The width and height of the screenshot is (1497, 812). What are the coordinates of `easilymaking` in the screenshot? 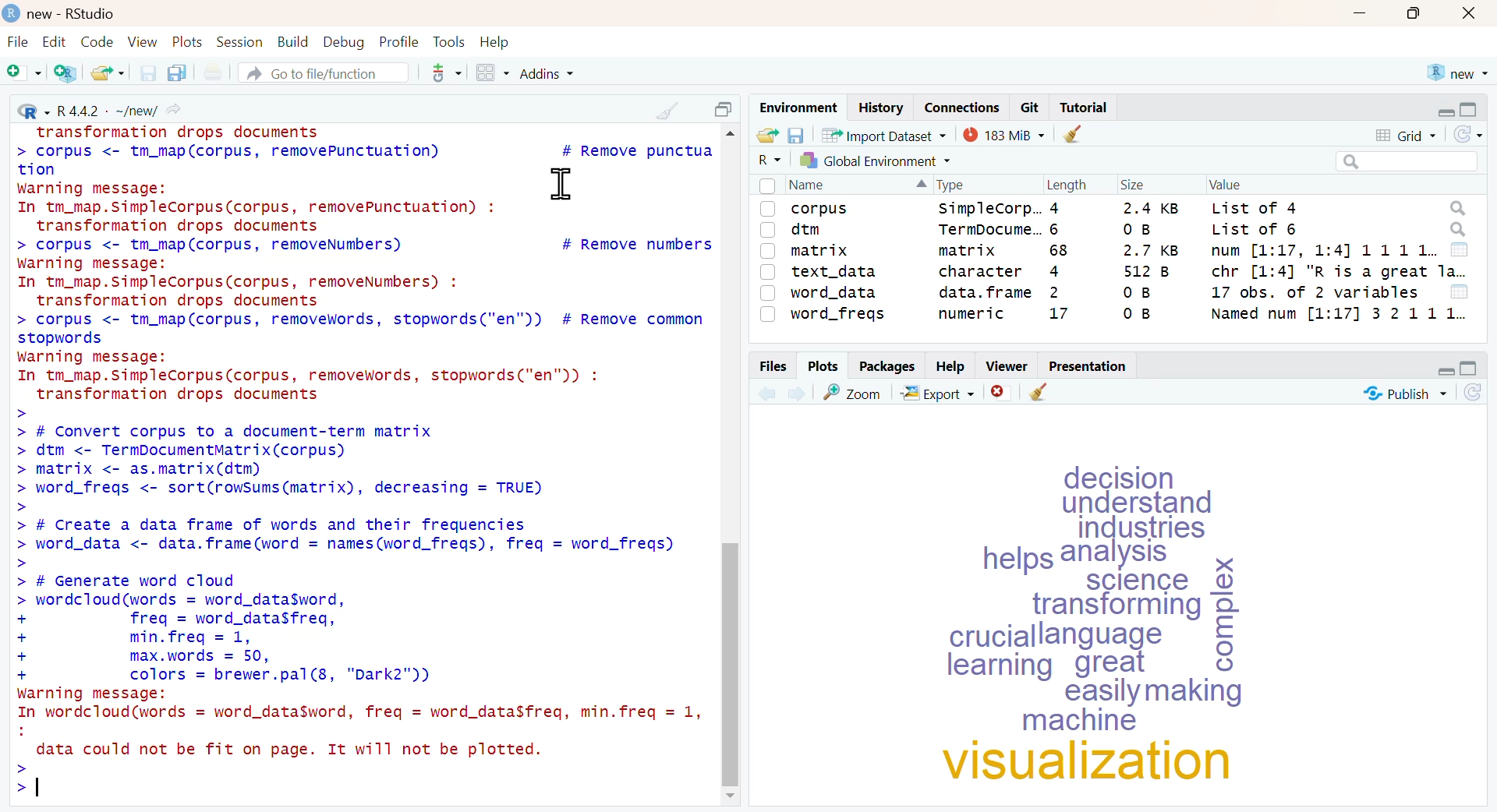 It's located at (1160, 693).